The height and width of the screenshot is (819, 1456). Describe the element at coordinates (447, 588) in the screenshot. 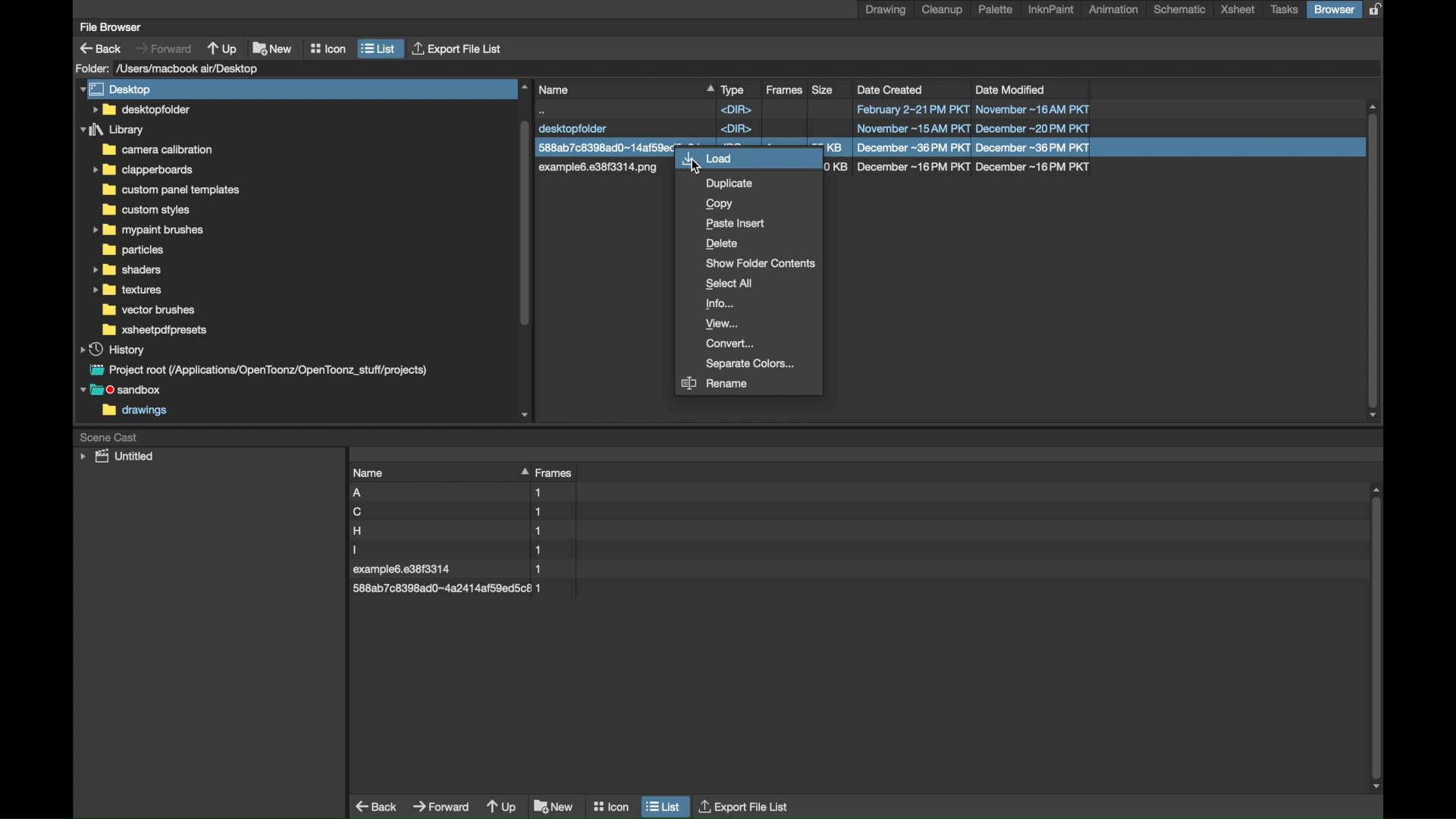

I see `file` at that location.